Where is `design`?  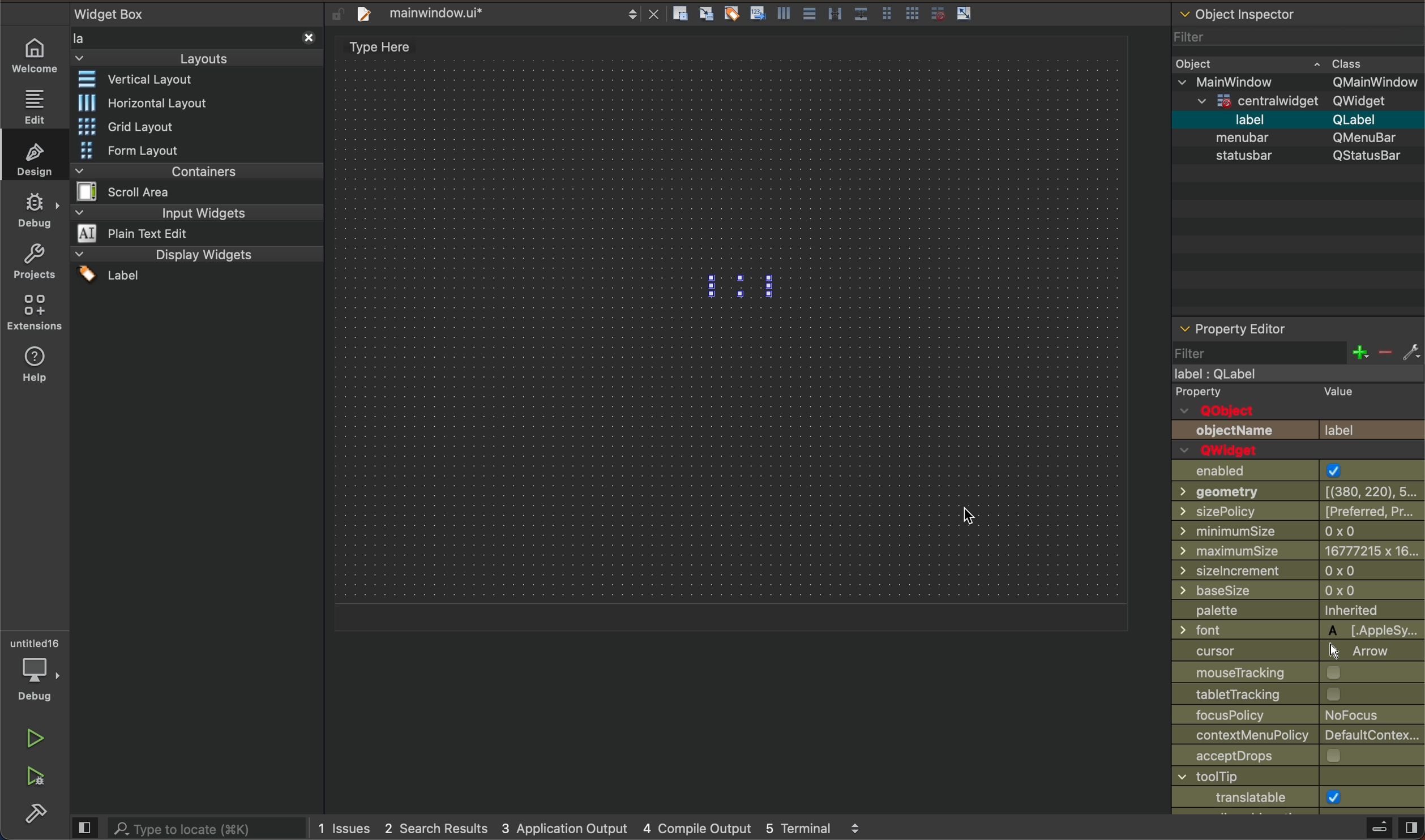 design is located at coordinates (38, 158).